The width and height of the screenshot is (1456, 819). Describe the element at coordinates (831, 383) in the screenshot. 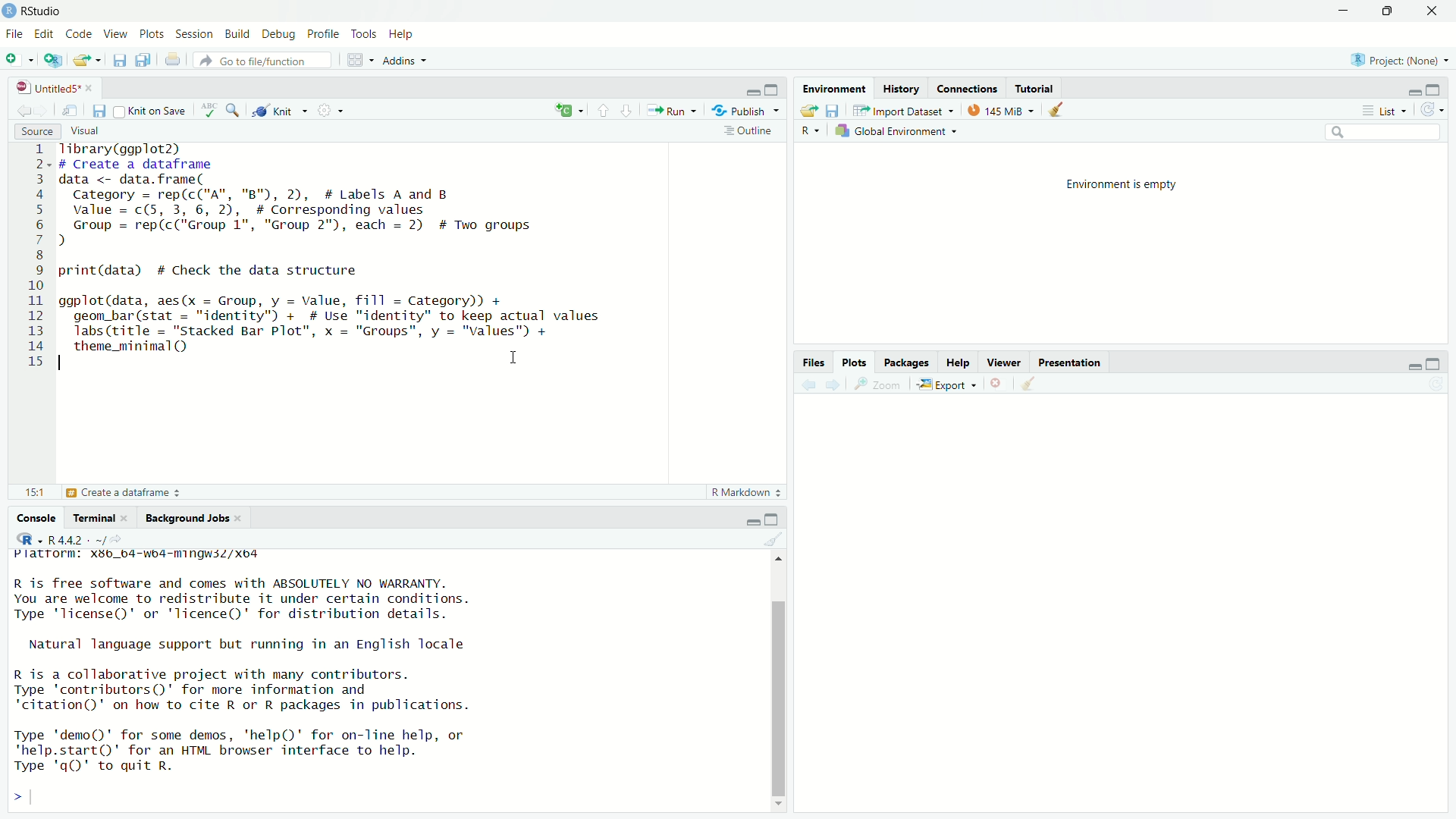

I see `Go forward to the next source location (Ctrl + F10)` at that location.